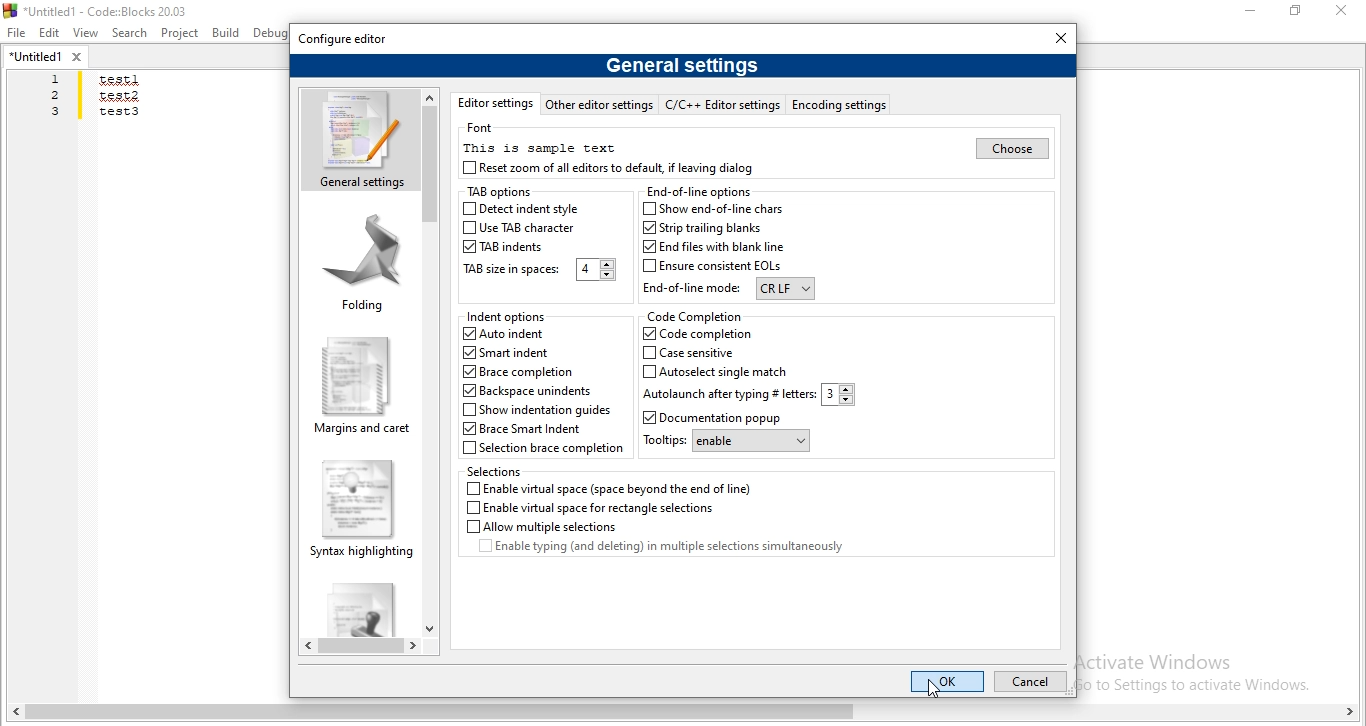 This screenshot has height=726, width=1366. What do you see at coordinates (544, 449) in the screenshot?
I see `selection brace completion` at bounding box center [544, 449].